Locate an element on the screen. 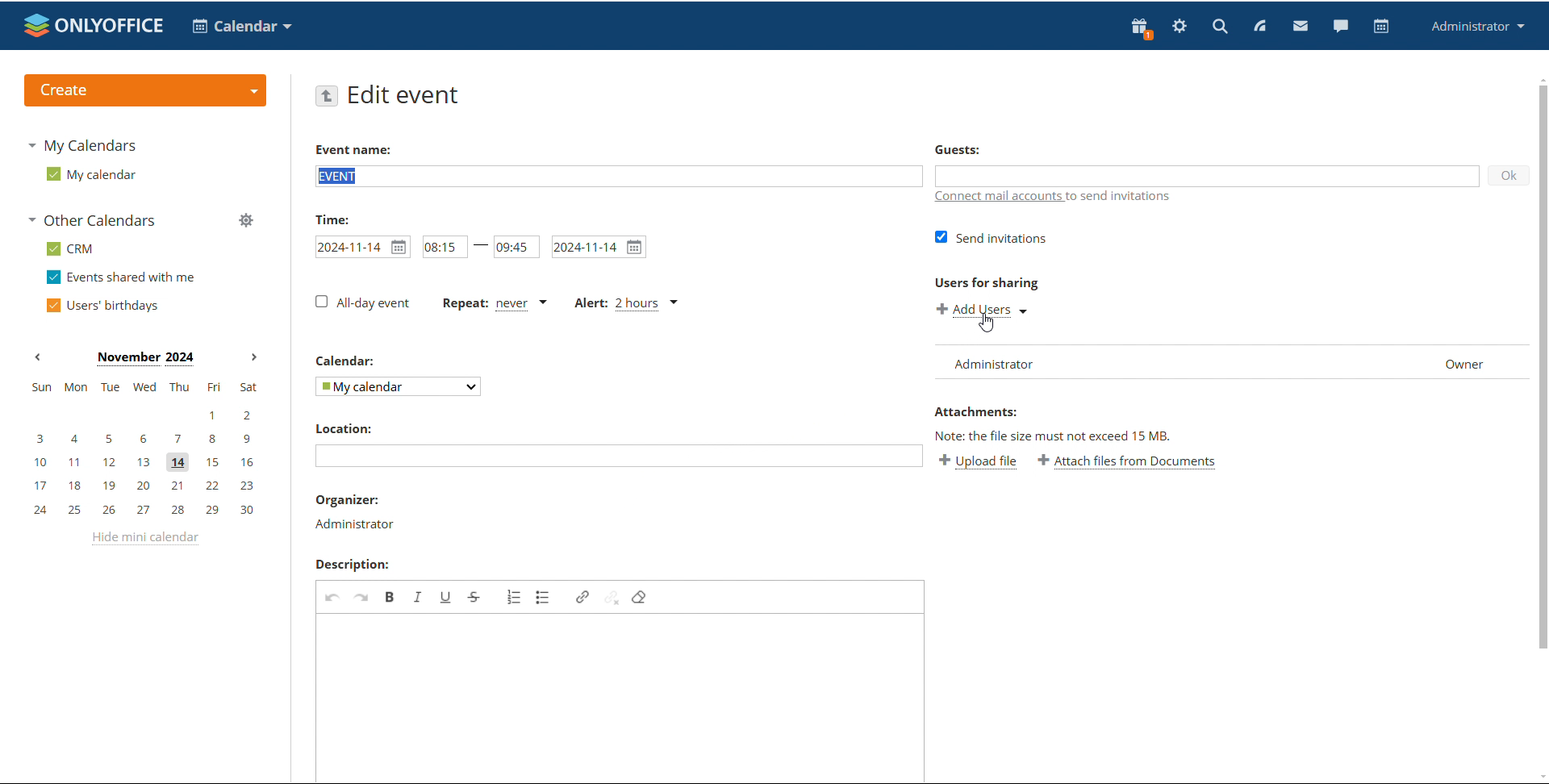  Location is located at coordinates (348, 427).